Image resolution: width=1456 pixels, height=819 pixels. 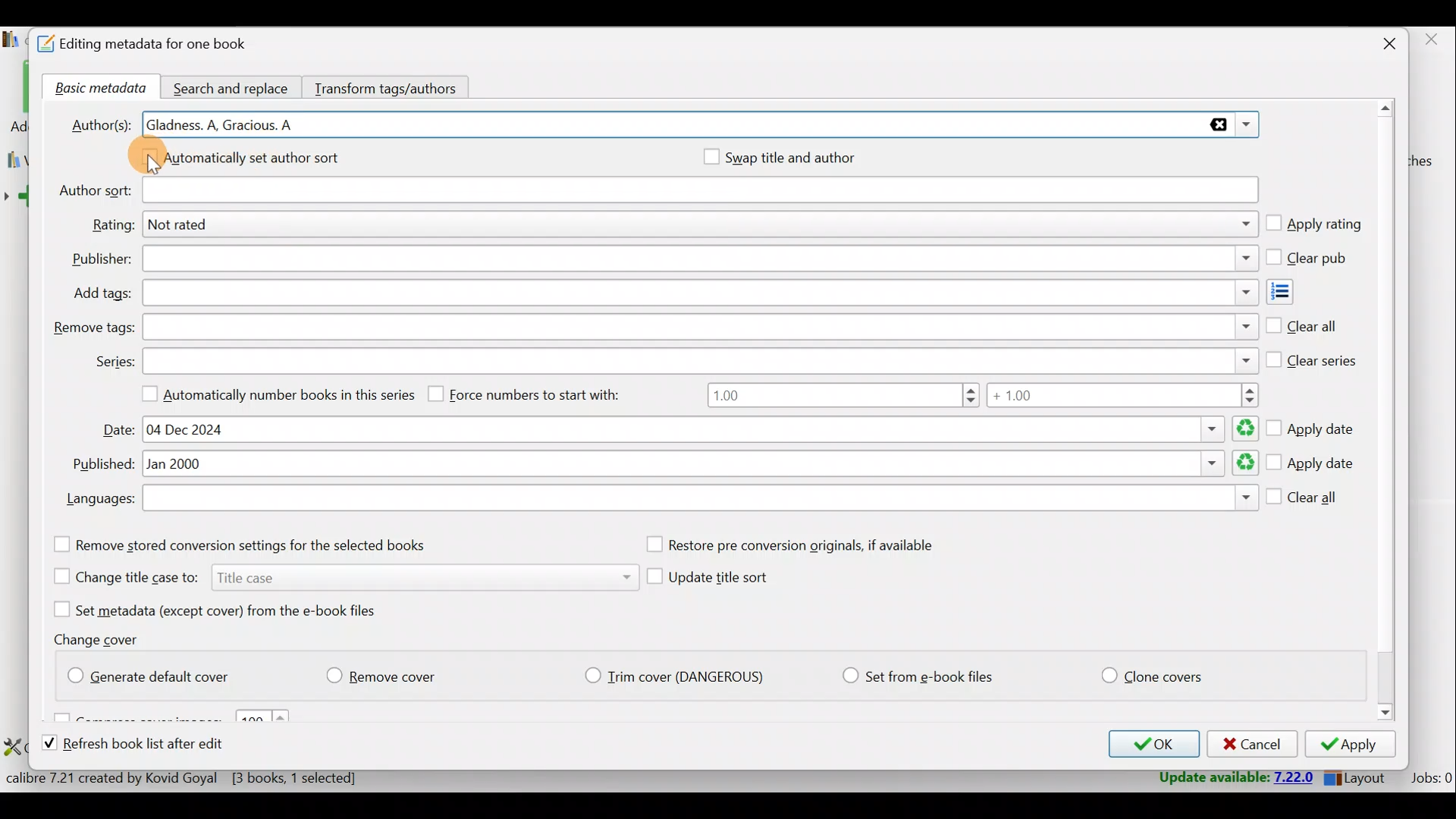 What do you see at coordinates (147, 745) in the screenshot?
I see `Refresh book list after edit` at bounding box center [147, 745].